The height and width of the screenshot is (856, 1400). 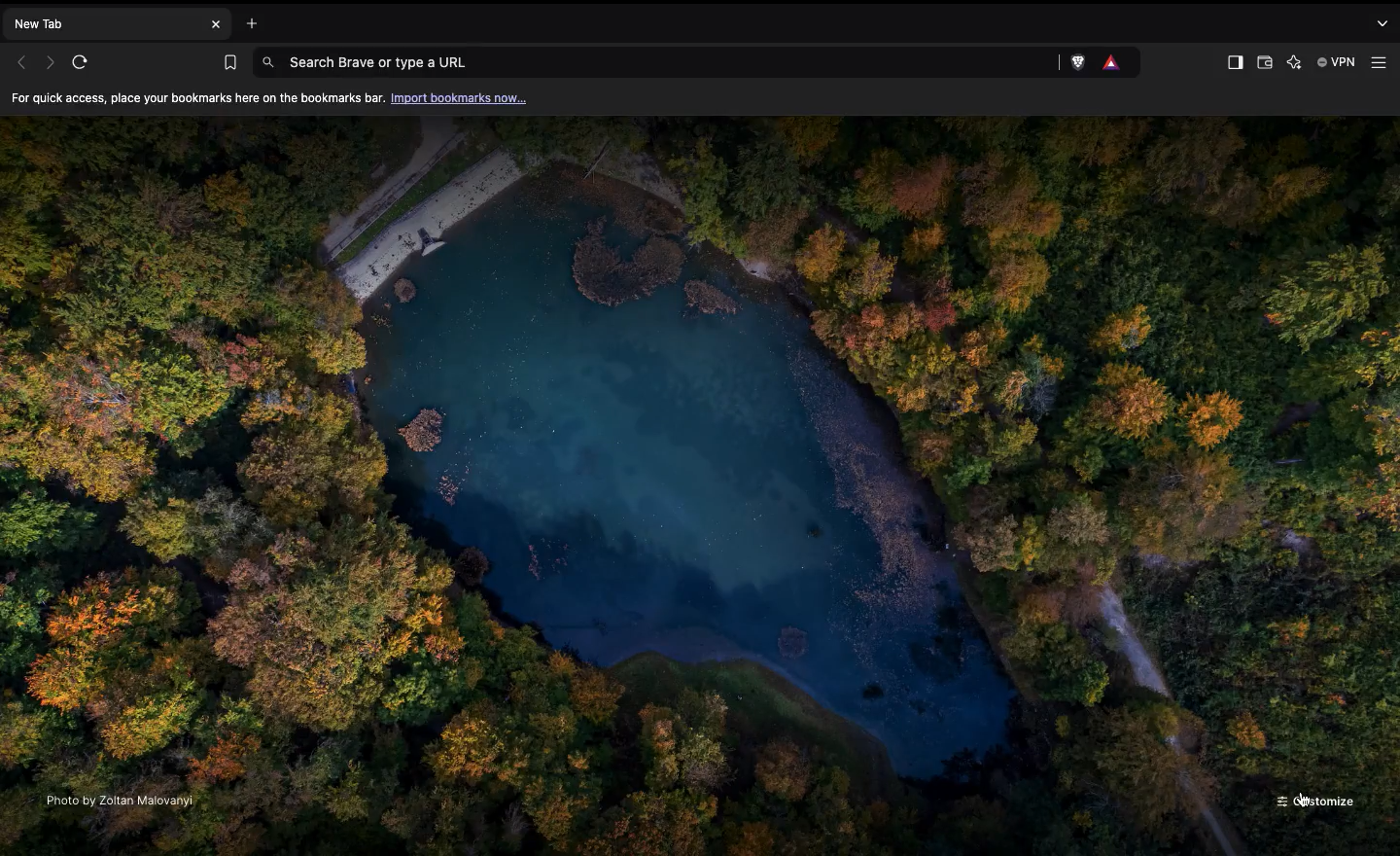 What do you see at coordinates (116, 801) in the screenshot?
I see `Photo by Zoltan Malovanyi` at bounding box center [116, 801].